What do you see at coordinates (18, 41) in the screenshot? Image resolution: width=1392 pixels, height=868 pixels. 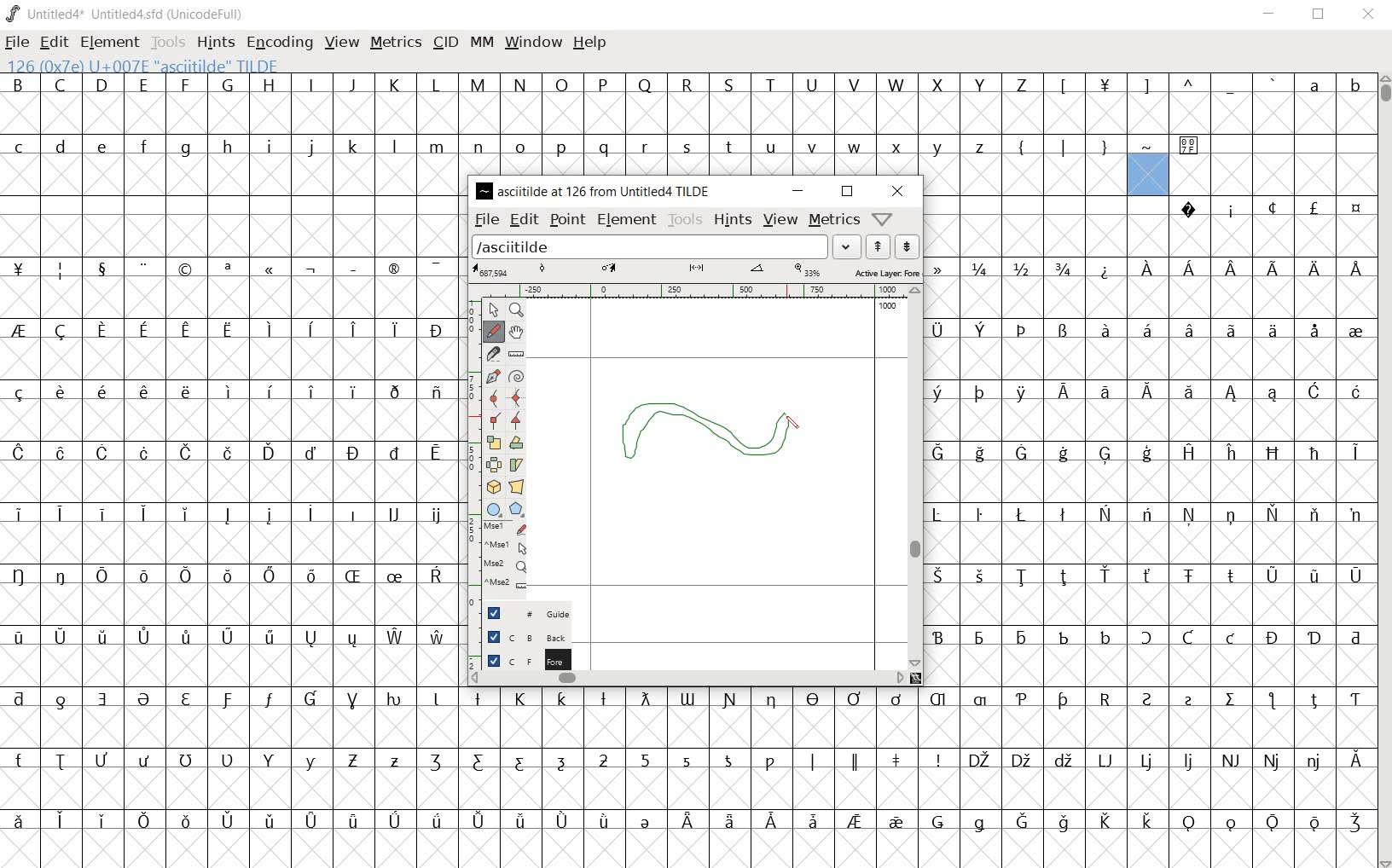 I see `FILE` at bounding box center [18, 41].